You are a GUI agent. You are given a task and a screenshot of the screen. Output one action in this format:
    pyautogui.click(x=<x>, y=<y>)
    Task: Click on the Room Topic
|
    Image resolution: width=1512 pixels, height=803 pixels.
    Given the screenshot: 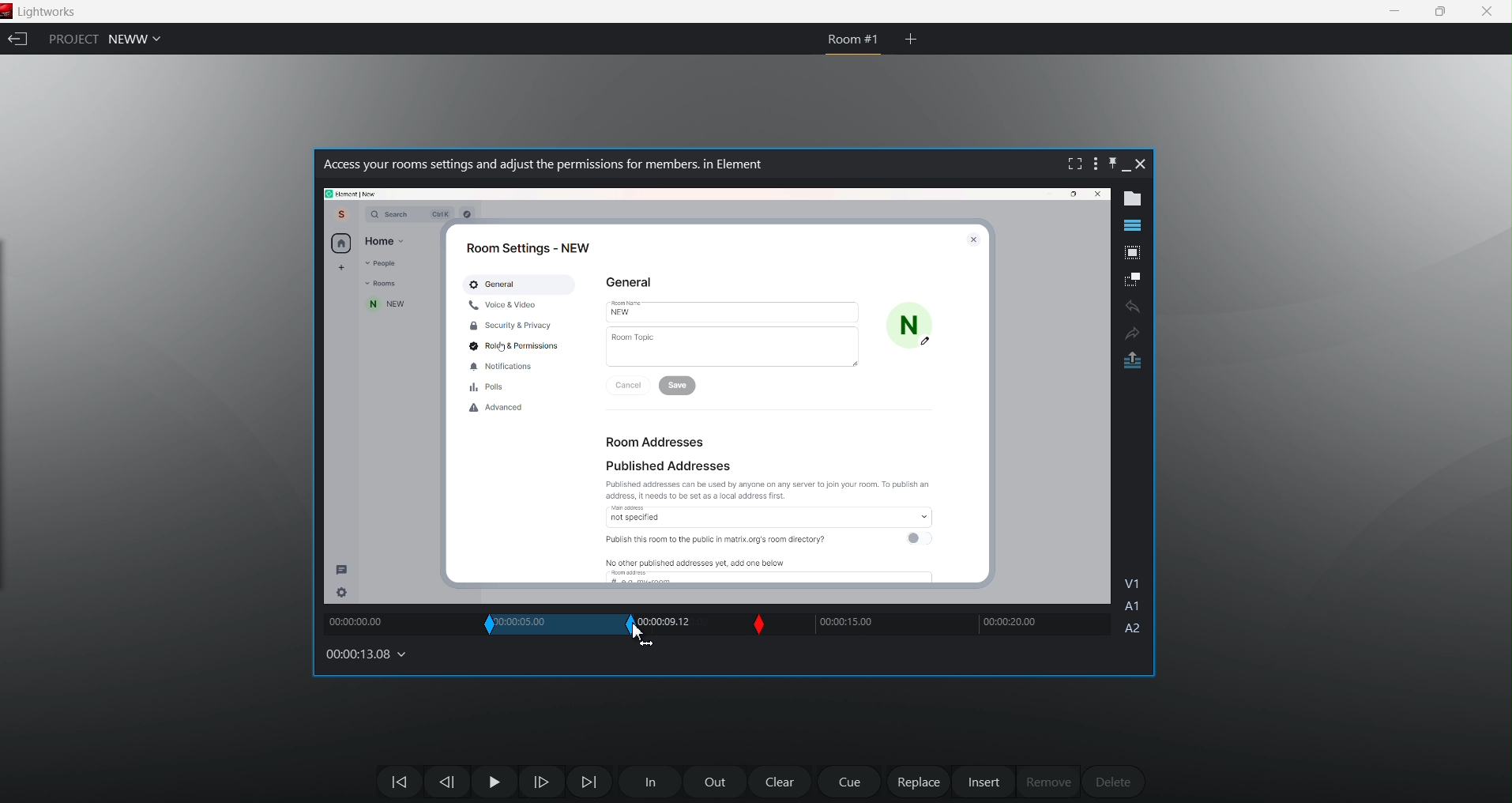 What is the action you would take?
    pyautogui.click(x=733, y=347)
    